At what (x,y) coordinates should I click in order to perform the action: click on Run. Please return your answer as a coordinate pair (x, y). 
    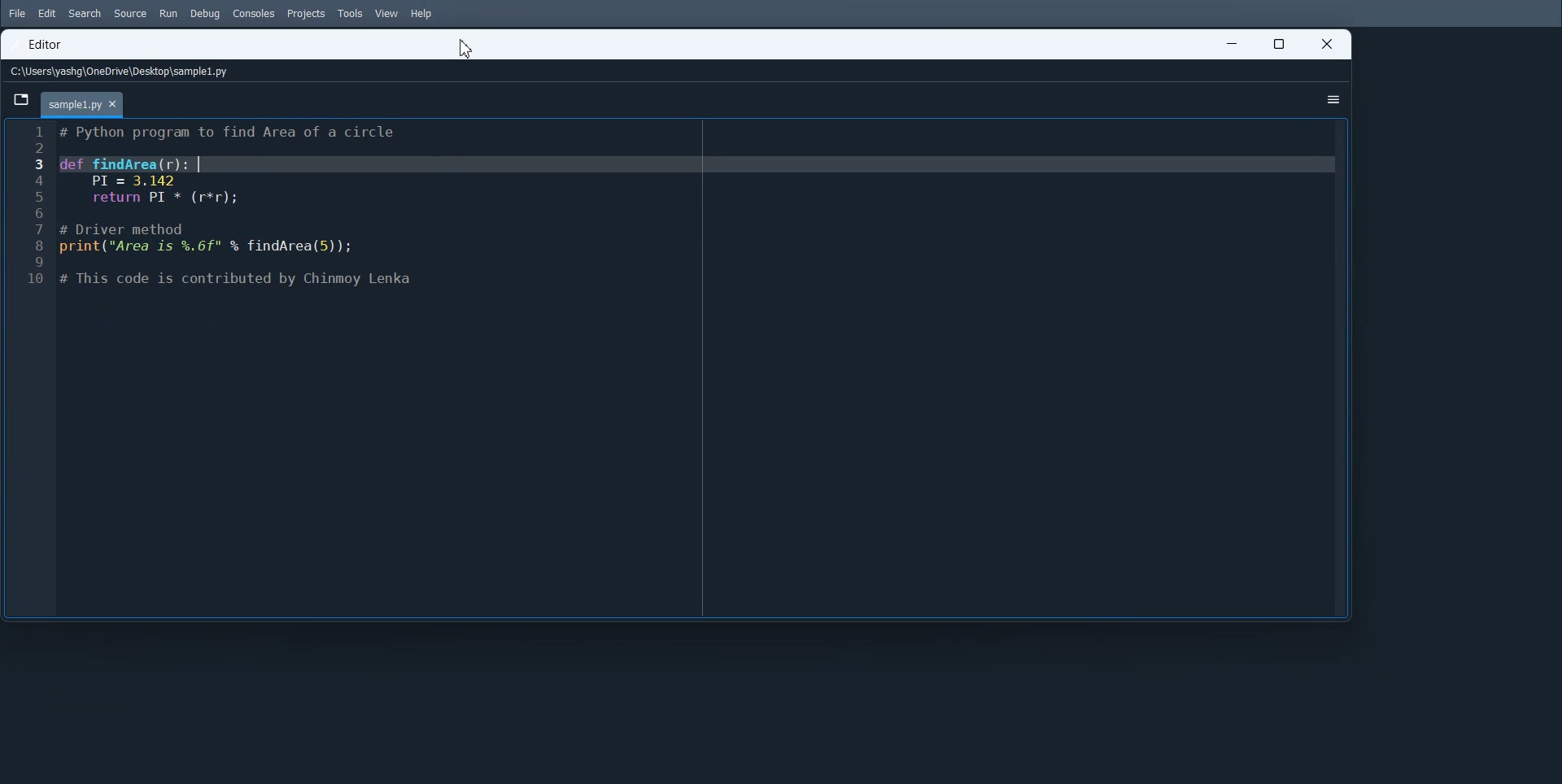
    Looking at the image, I should click on (168, 13).